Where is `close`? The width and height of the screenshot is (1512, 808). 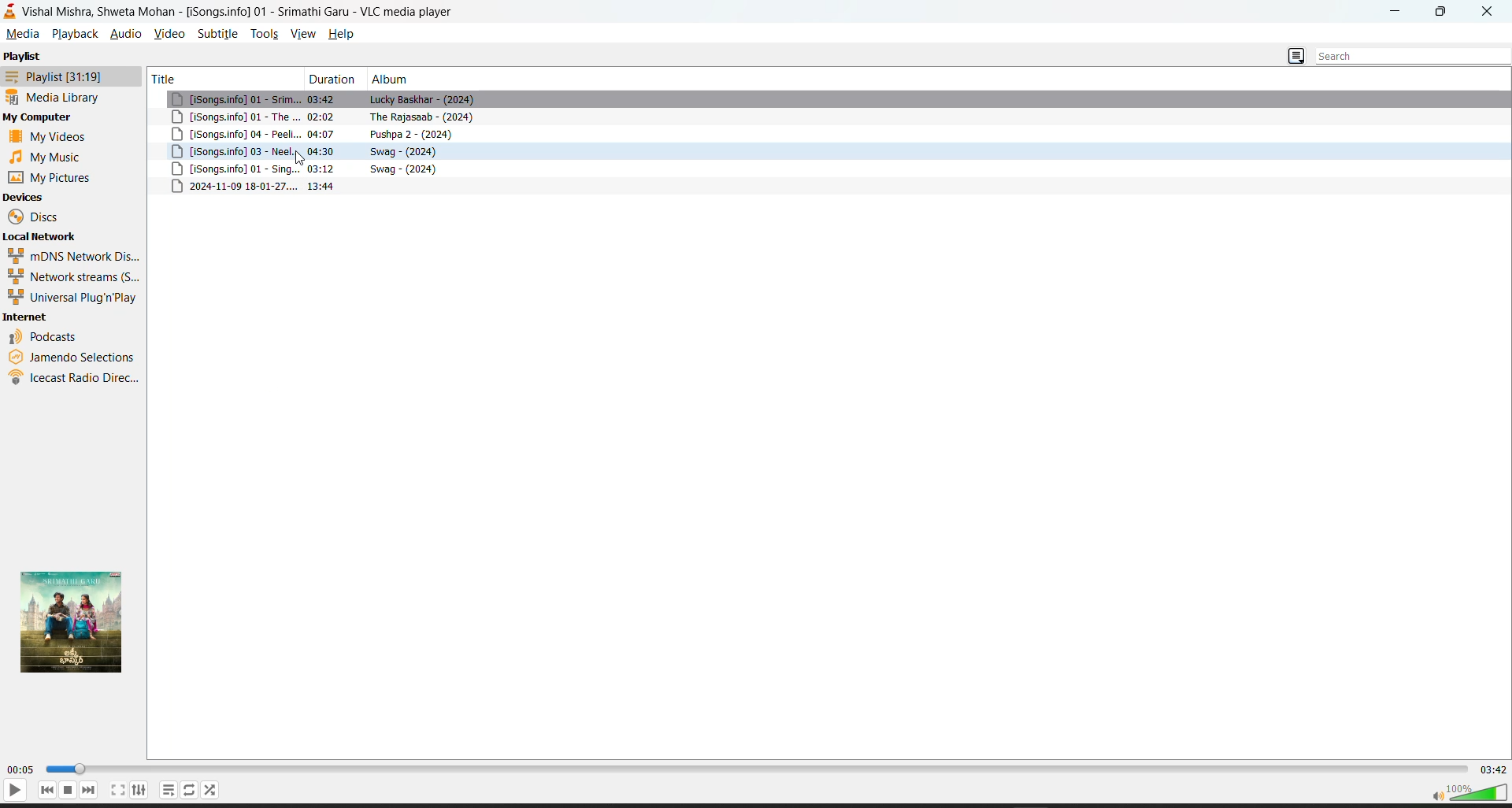 close is located at coordinates (1492, 11).